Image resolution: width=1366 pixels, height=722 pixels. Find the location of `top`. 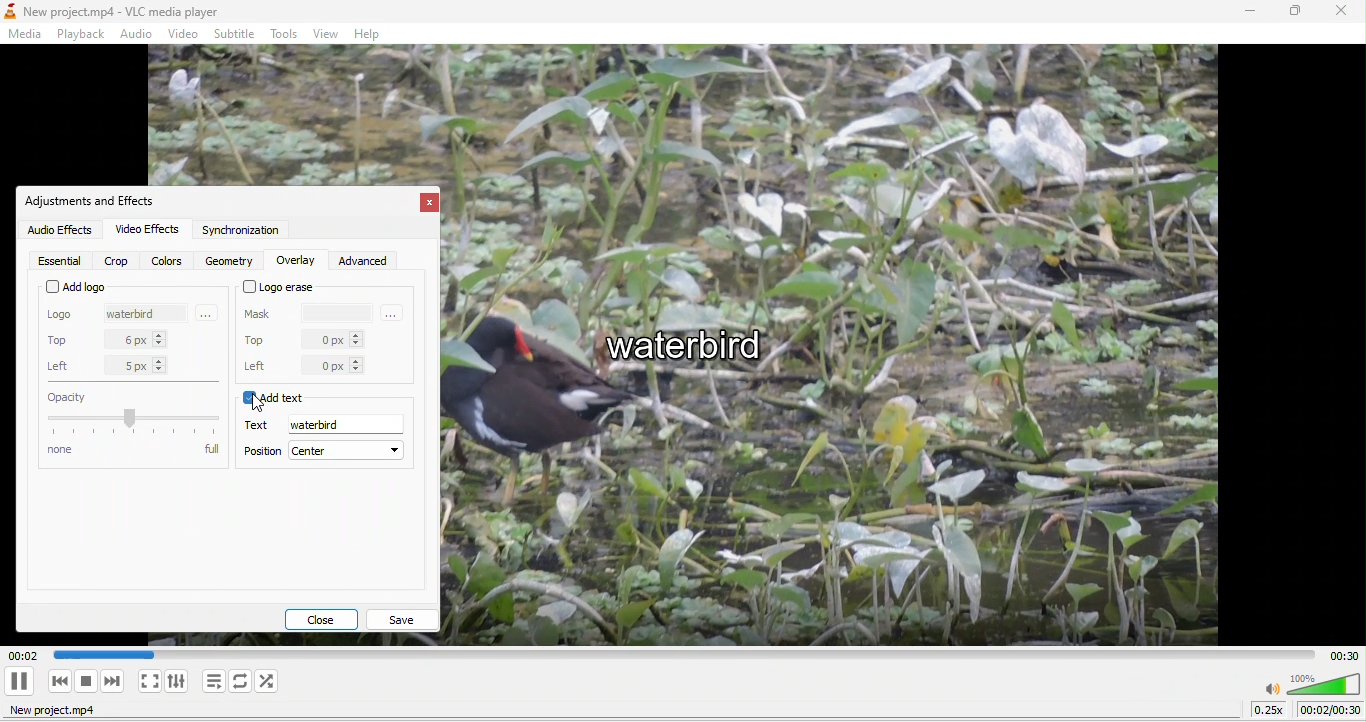

top is located at coordinates (255, 342).